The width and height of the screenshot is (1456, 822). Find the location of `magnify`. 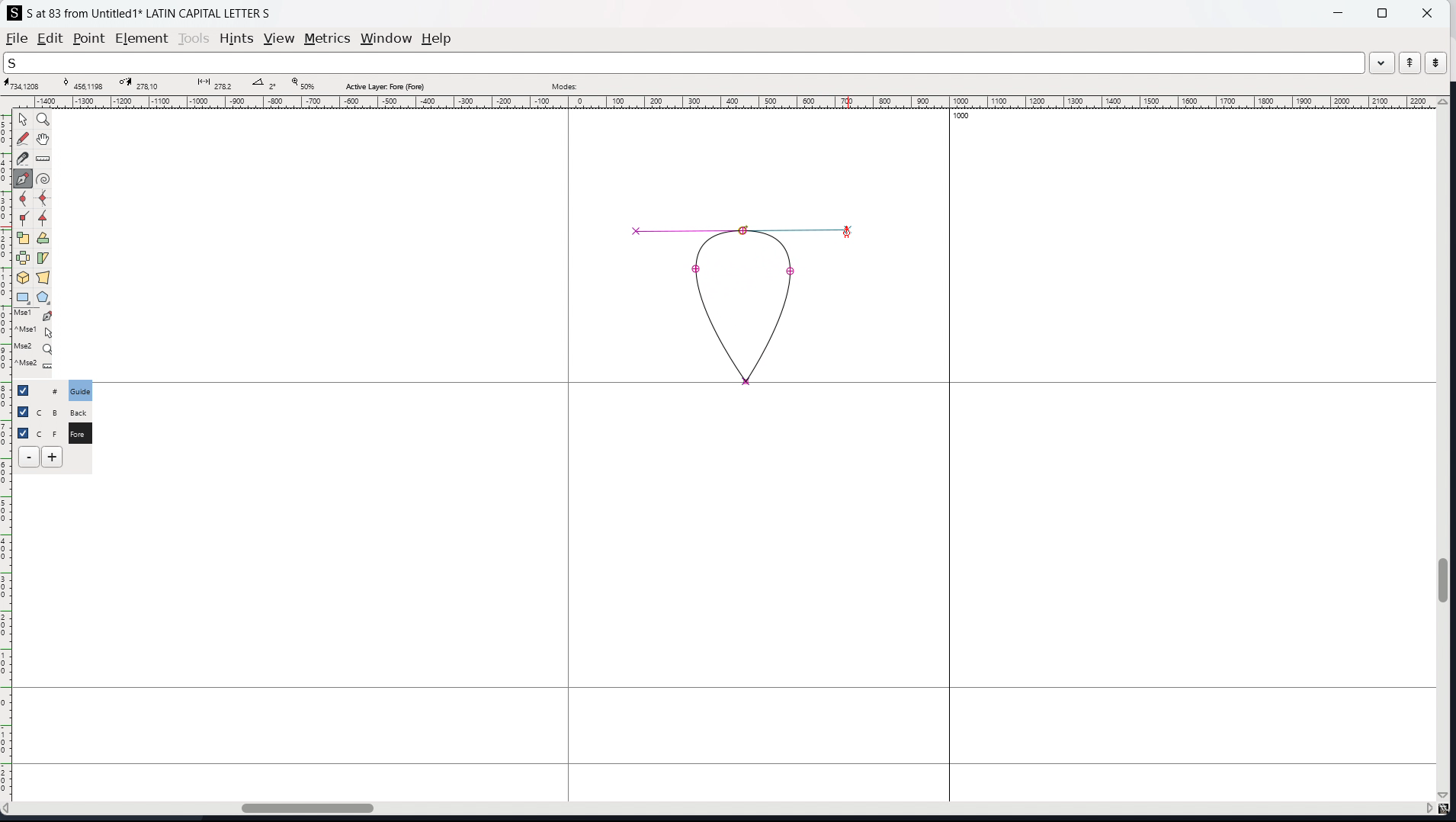

magnify is located at coordinates (44, 120).